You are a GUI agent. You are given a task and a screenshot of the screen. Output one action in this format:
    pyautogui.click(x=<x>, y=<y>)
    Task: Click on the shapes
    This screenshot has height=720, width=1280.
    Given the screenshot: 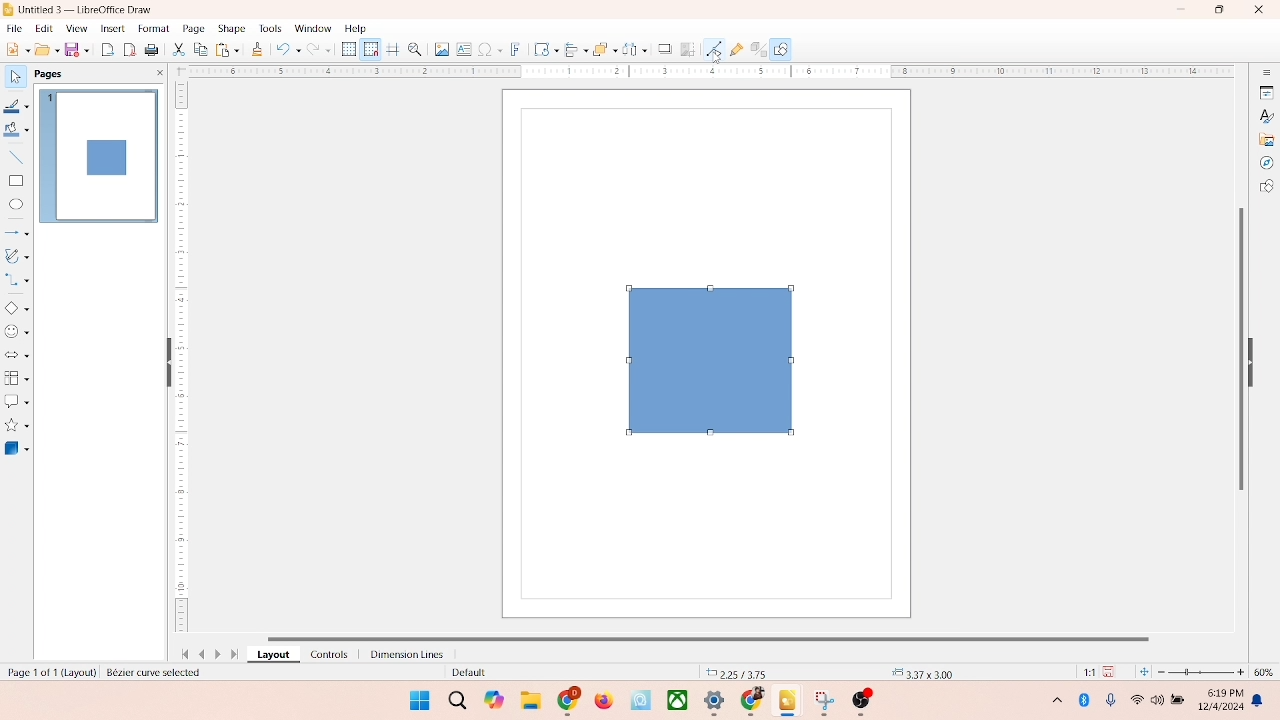 What is the action you would take?
    pyautogui.click(x=1266, y=188)
    